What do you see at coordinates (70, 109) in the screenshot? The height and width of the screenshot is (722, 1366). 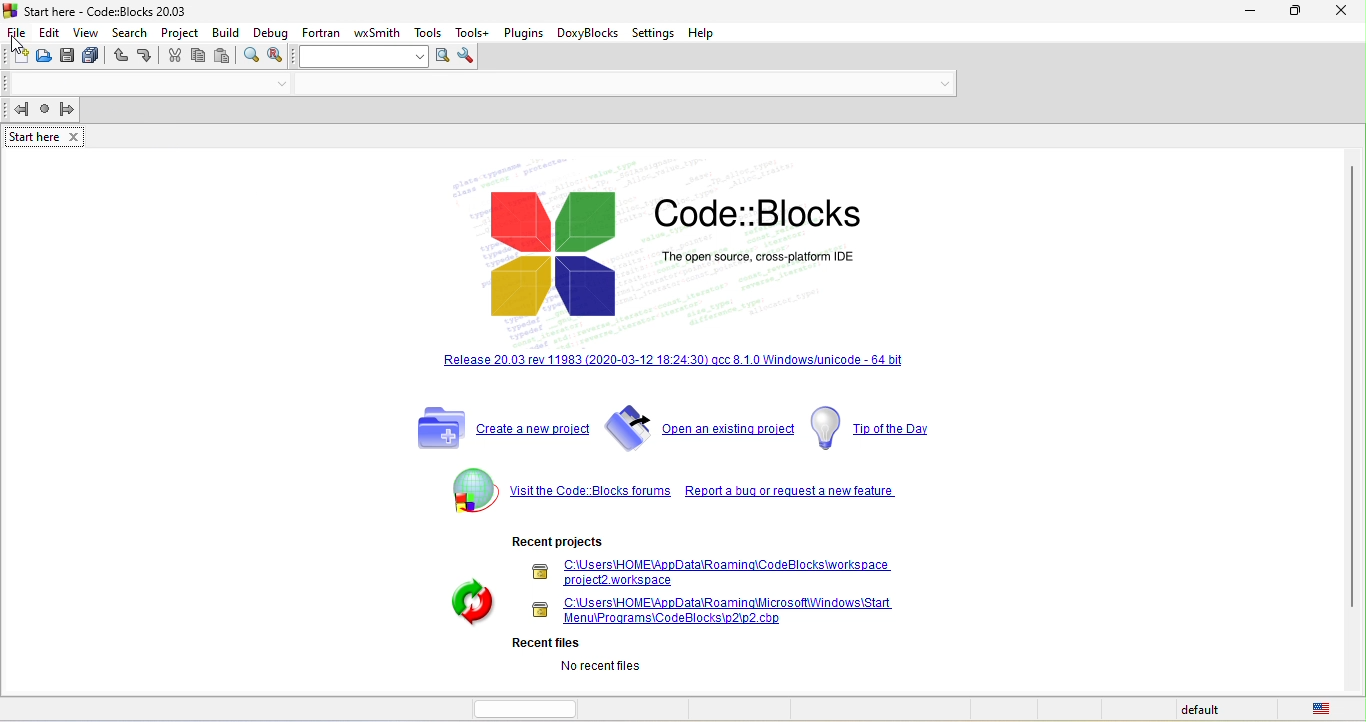 I see `jump forward` at bounding box center [70, 109].